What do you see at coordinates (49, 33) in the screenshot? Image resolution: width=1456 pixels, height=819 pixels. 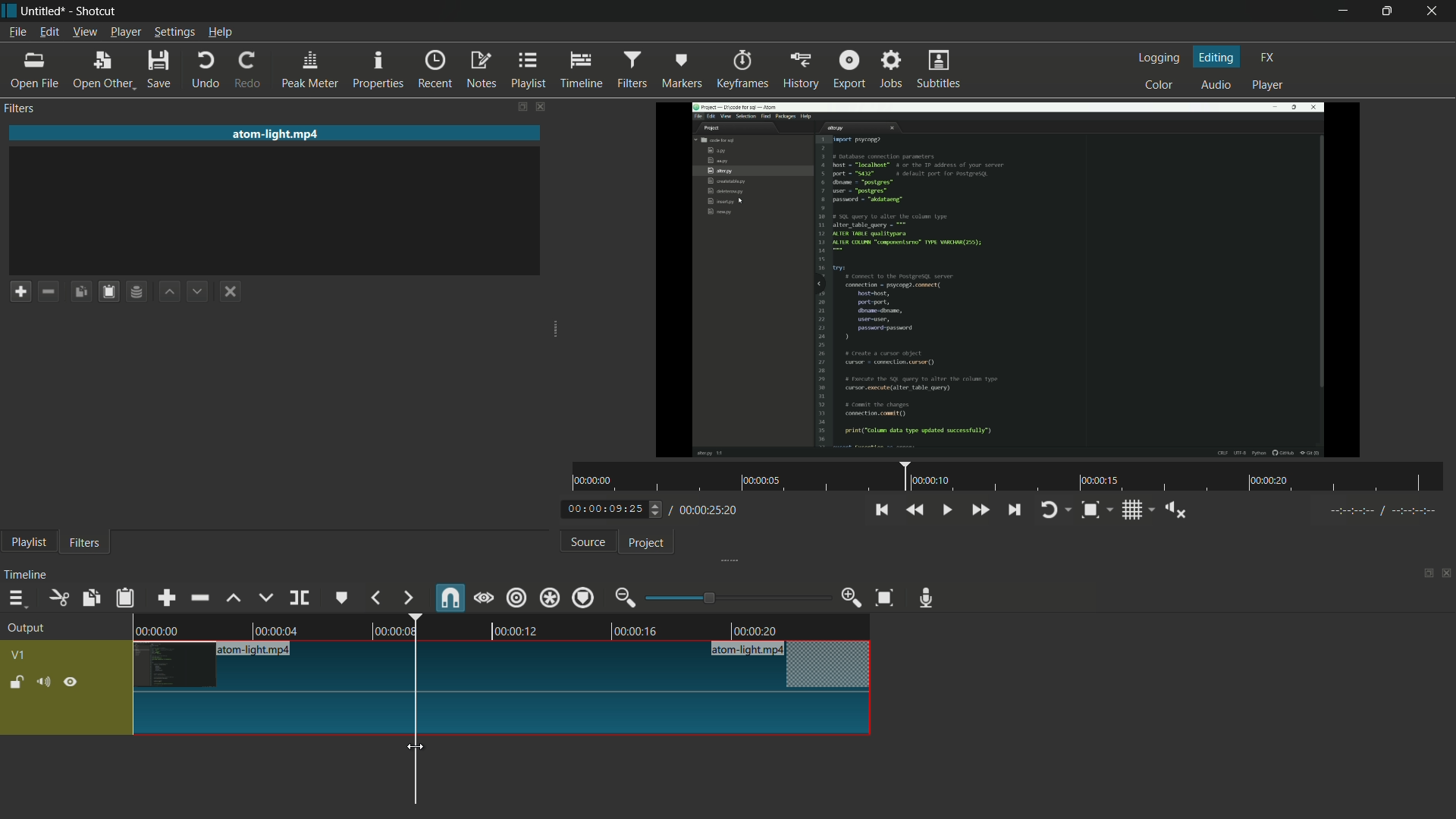 I see `edit menu` at bounding box center [49, 33].